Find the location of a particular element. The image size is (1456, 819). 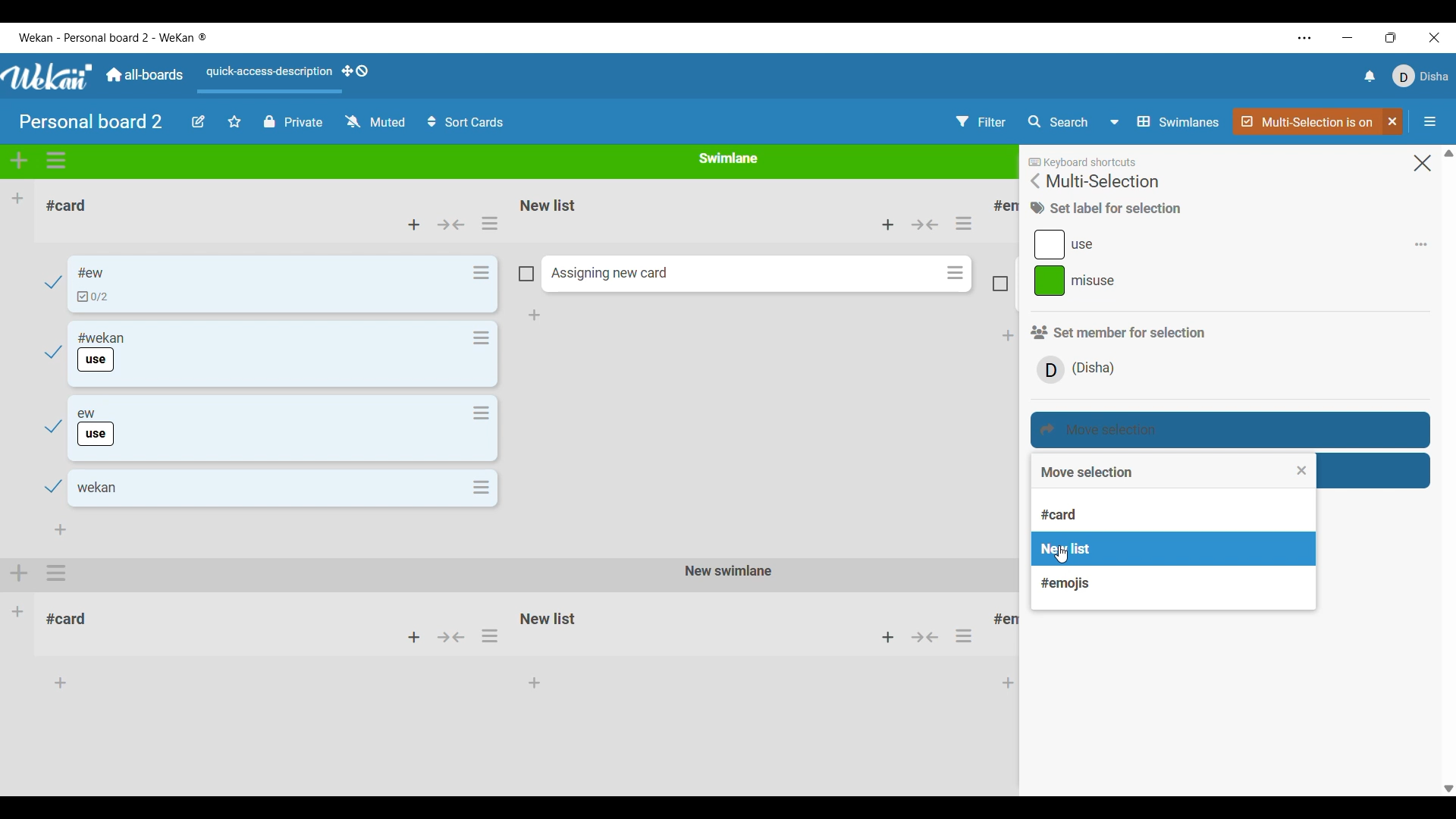

selecting list actions is located at coordinates (495, 221).